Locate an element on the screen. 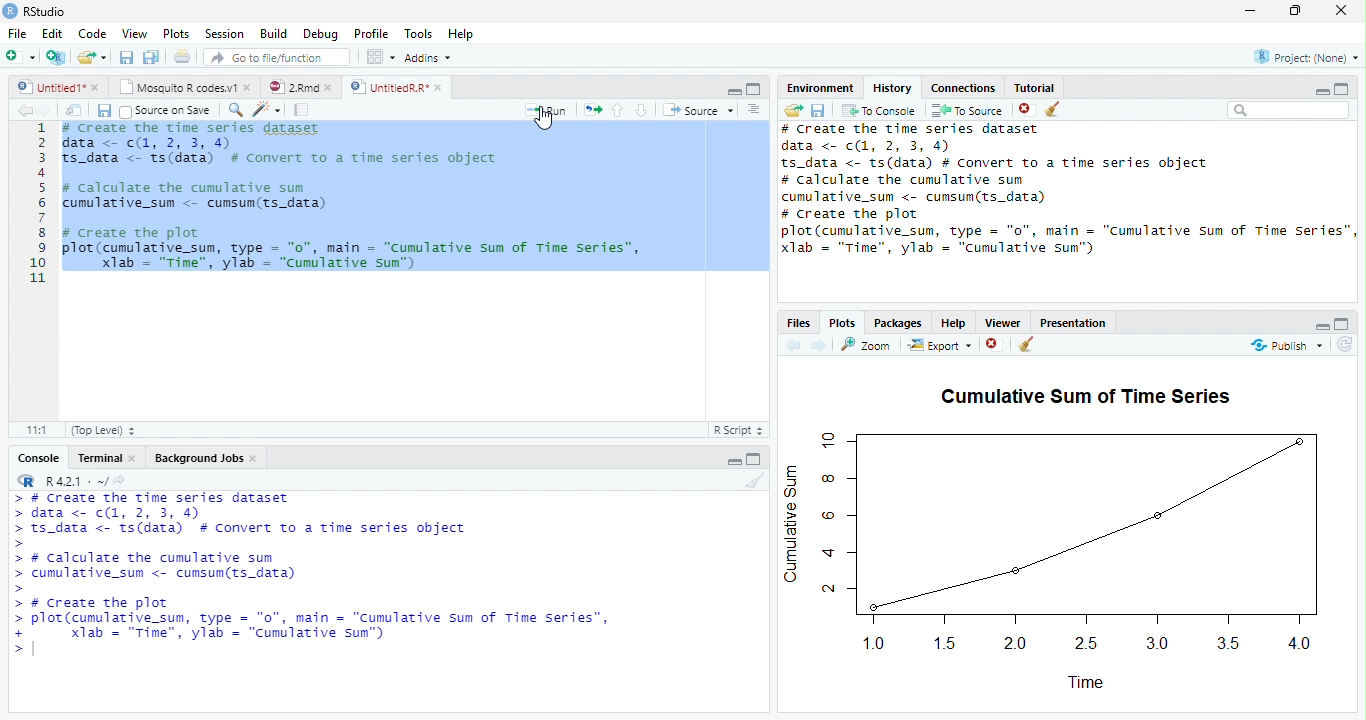 This screenshot has width=1366, height=720. Go to the previous section is located at coordinates (617, 111).